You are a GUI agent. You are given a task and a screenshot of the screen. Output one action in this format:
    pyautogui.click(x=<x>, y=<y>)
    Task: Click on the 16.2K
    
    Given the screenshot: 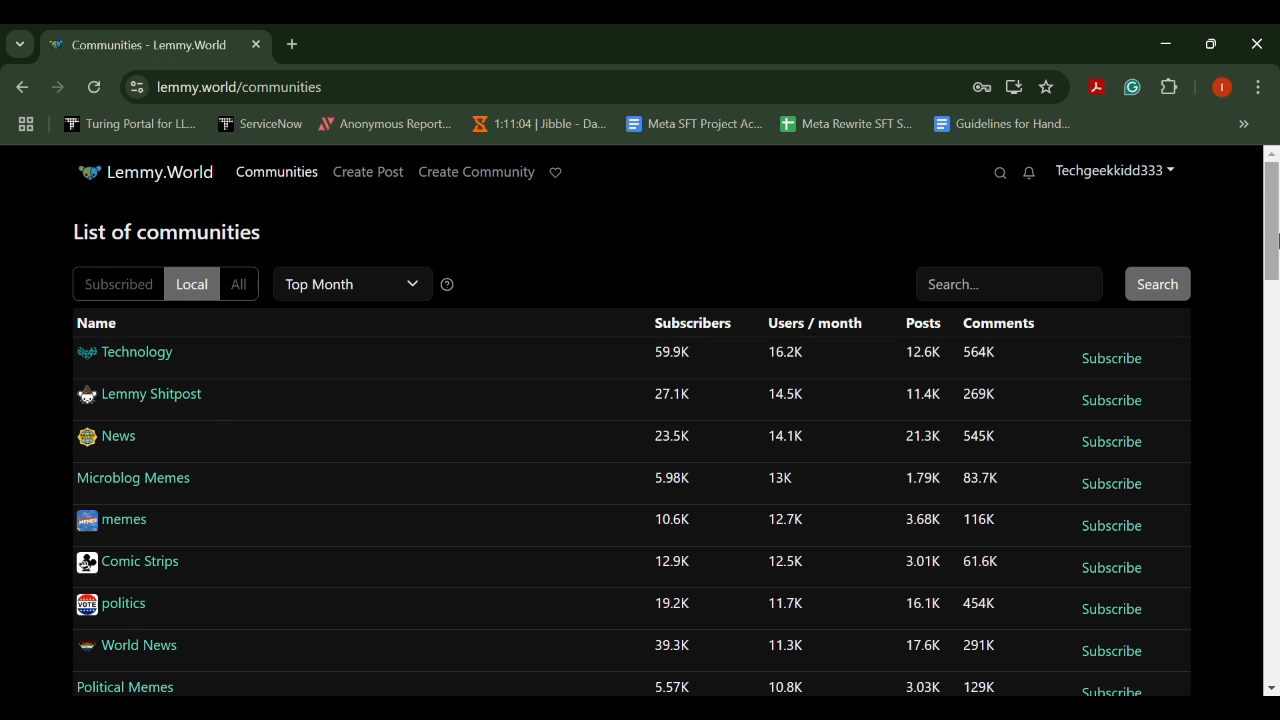 What is the action you would take?
    pyautogui.click(x=787, y=352)
    